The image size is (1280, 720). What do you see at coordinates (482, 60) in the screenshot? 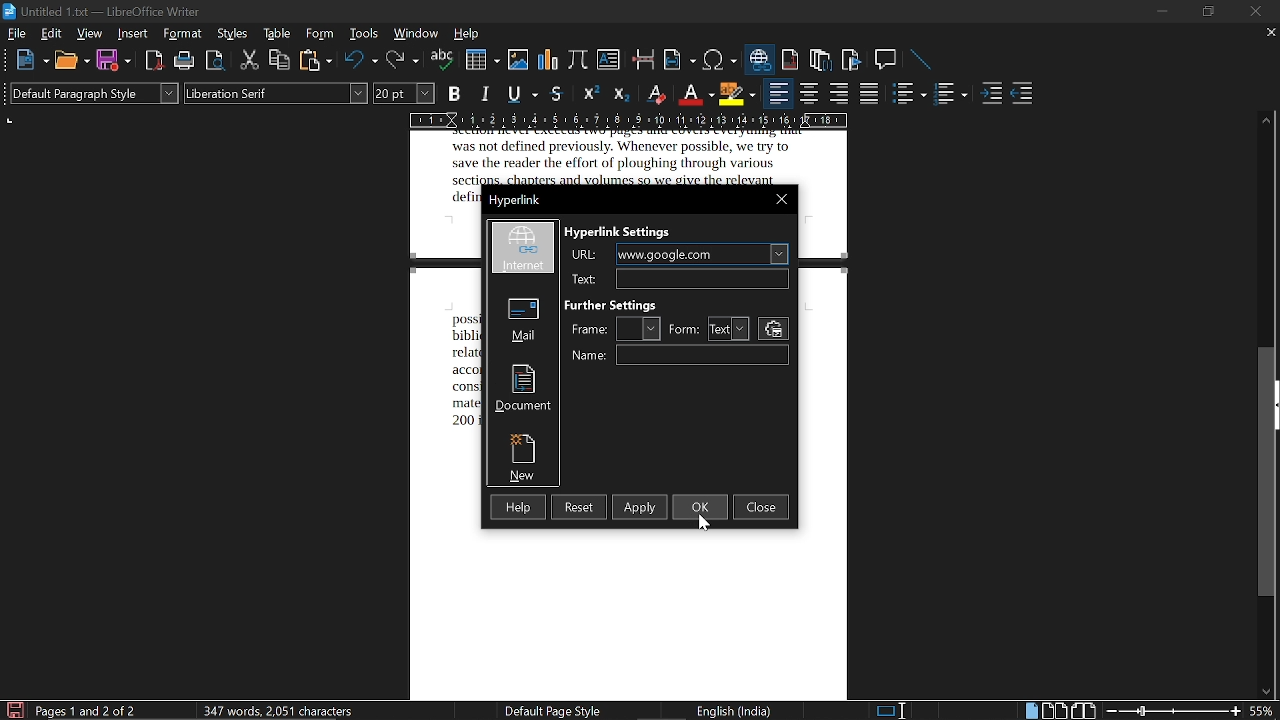
I see `insert table` at bounding box center [482, 60].